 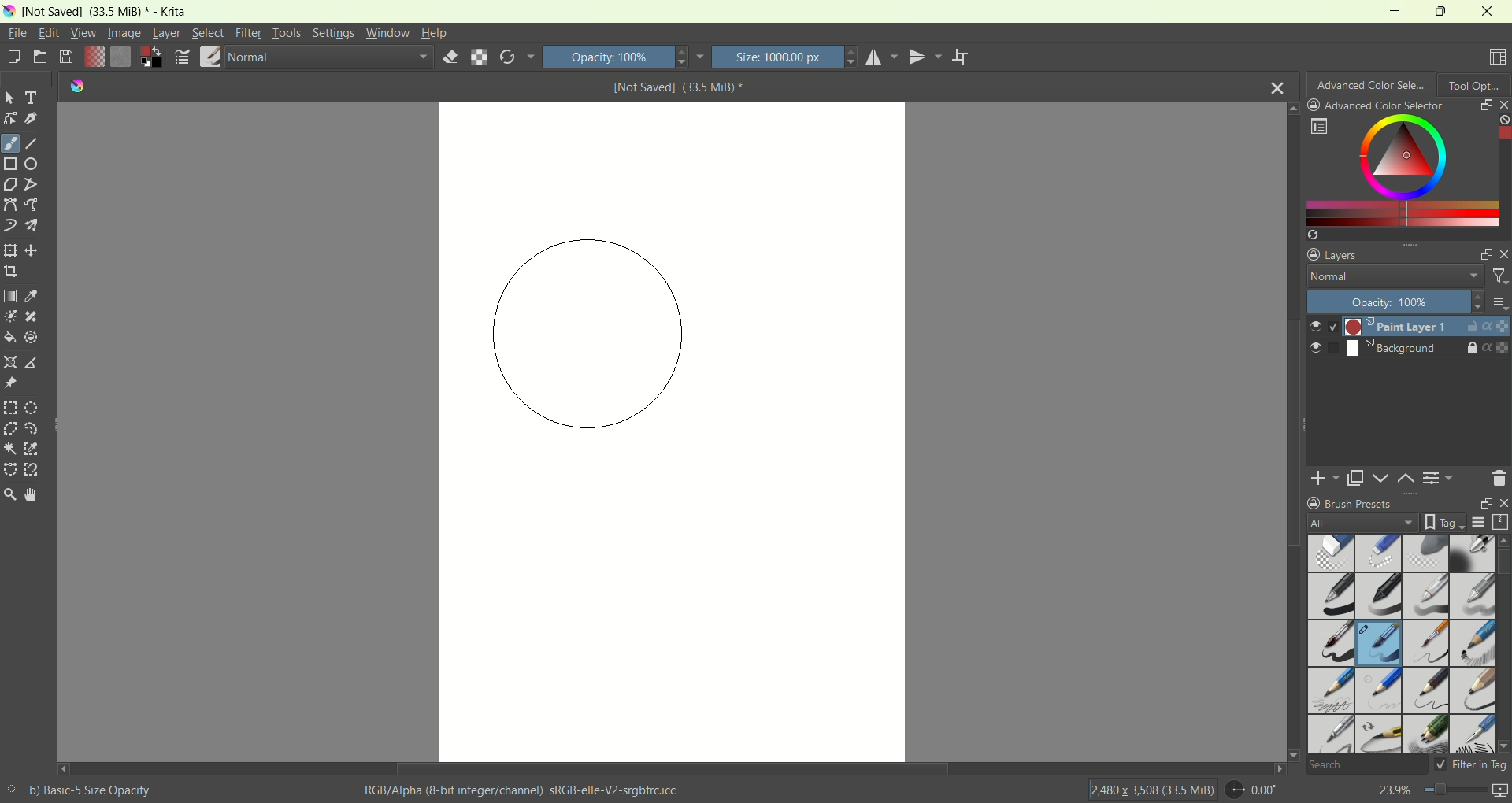 I want to click on preserve alpha, so click(x=480, y=58).